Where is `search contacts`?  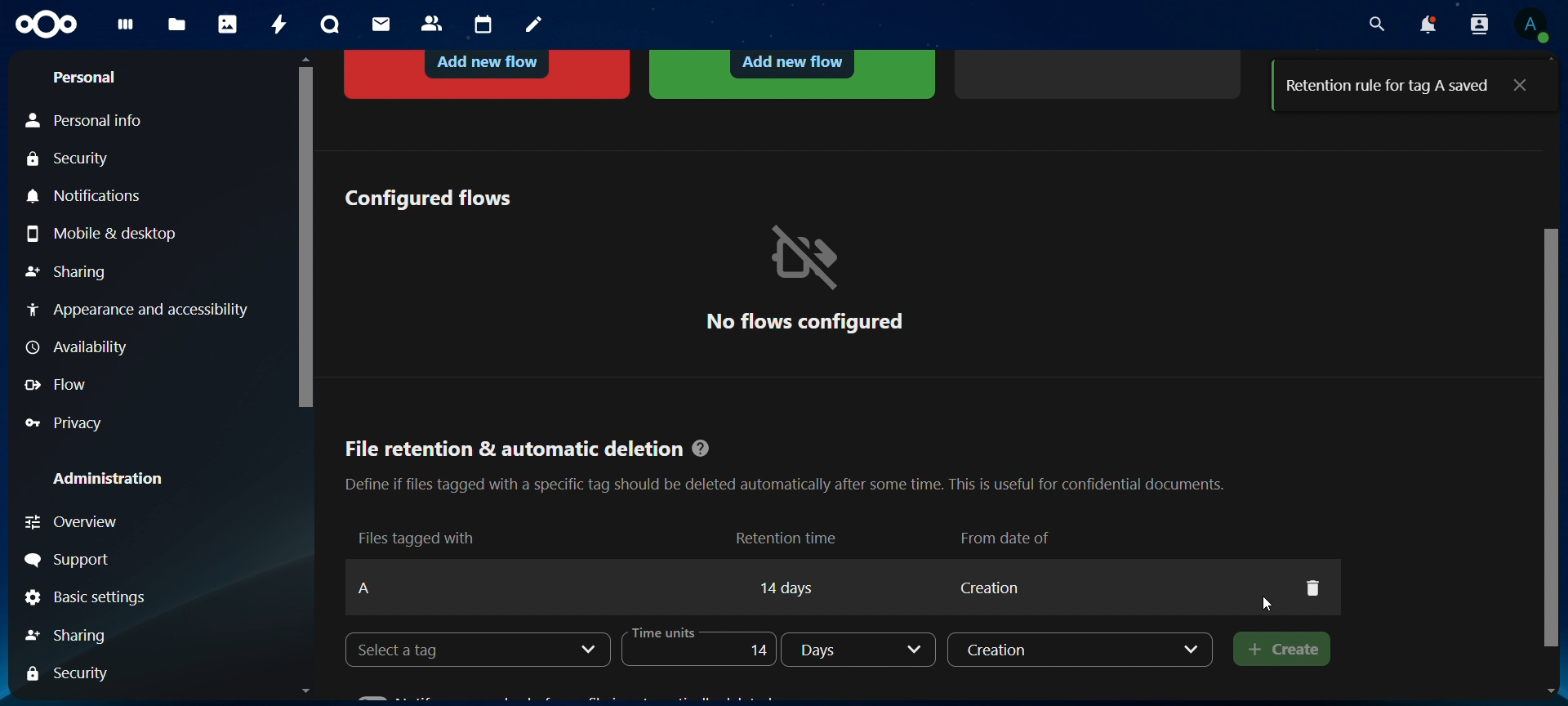
search contacts is located at coordinates (1483, 25).